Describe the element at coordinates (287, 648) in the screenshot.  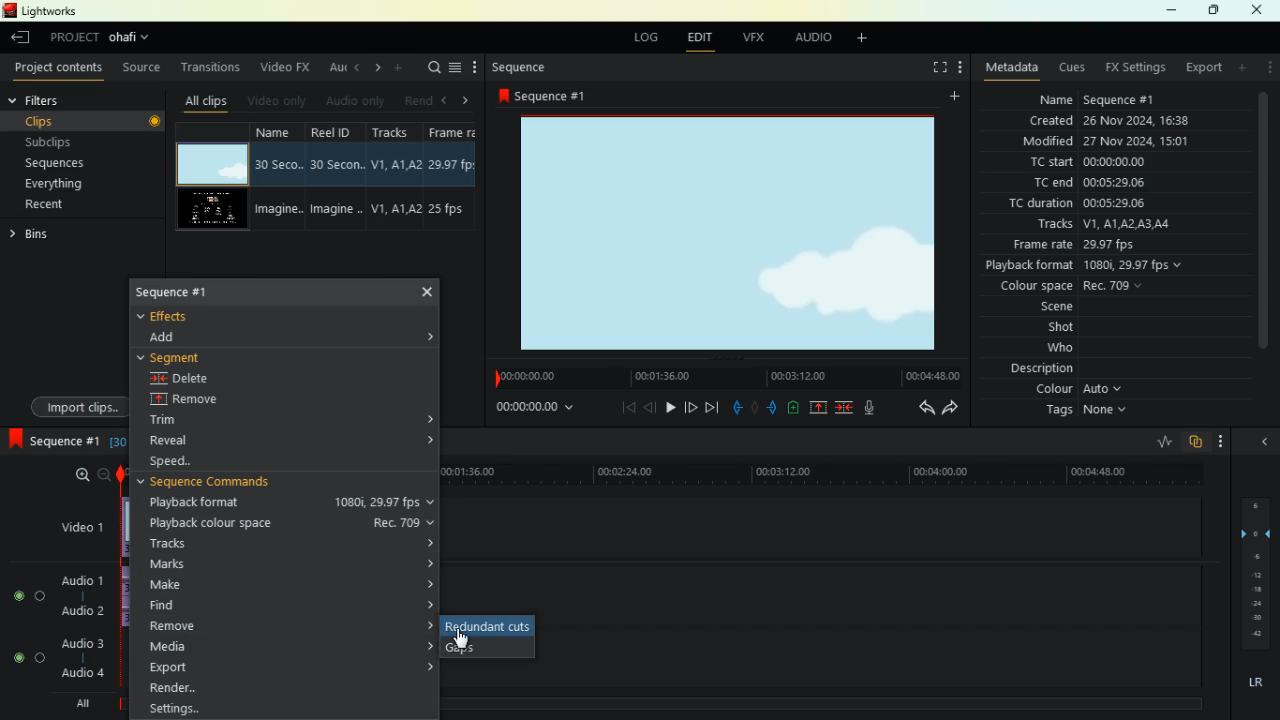
I see `media` at that location.